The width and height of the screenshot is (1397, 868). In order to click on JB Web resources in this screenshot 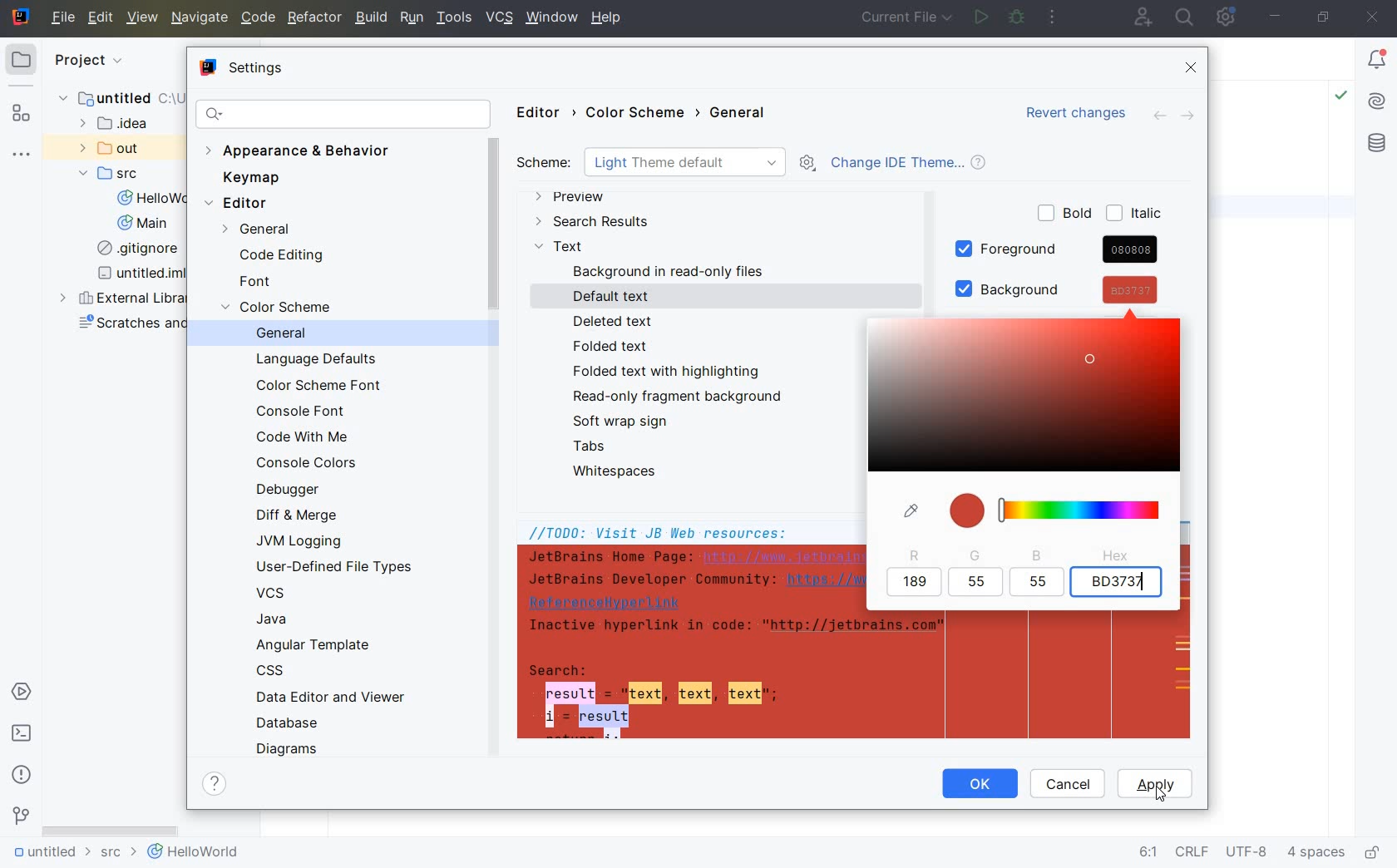, I will do `click(691, 633)`.